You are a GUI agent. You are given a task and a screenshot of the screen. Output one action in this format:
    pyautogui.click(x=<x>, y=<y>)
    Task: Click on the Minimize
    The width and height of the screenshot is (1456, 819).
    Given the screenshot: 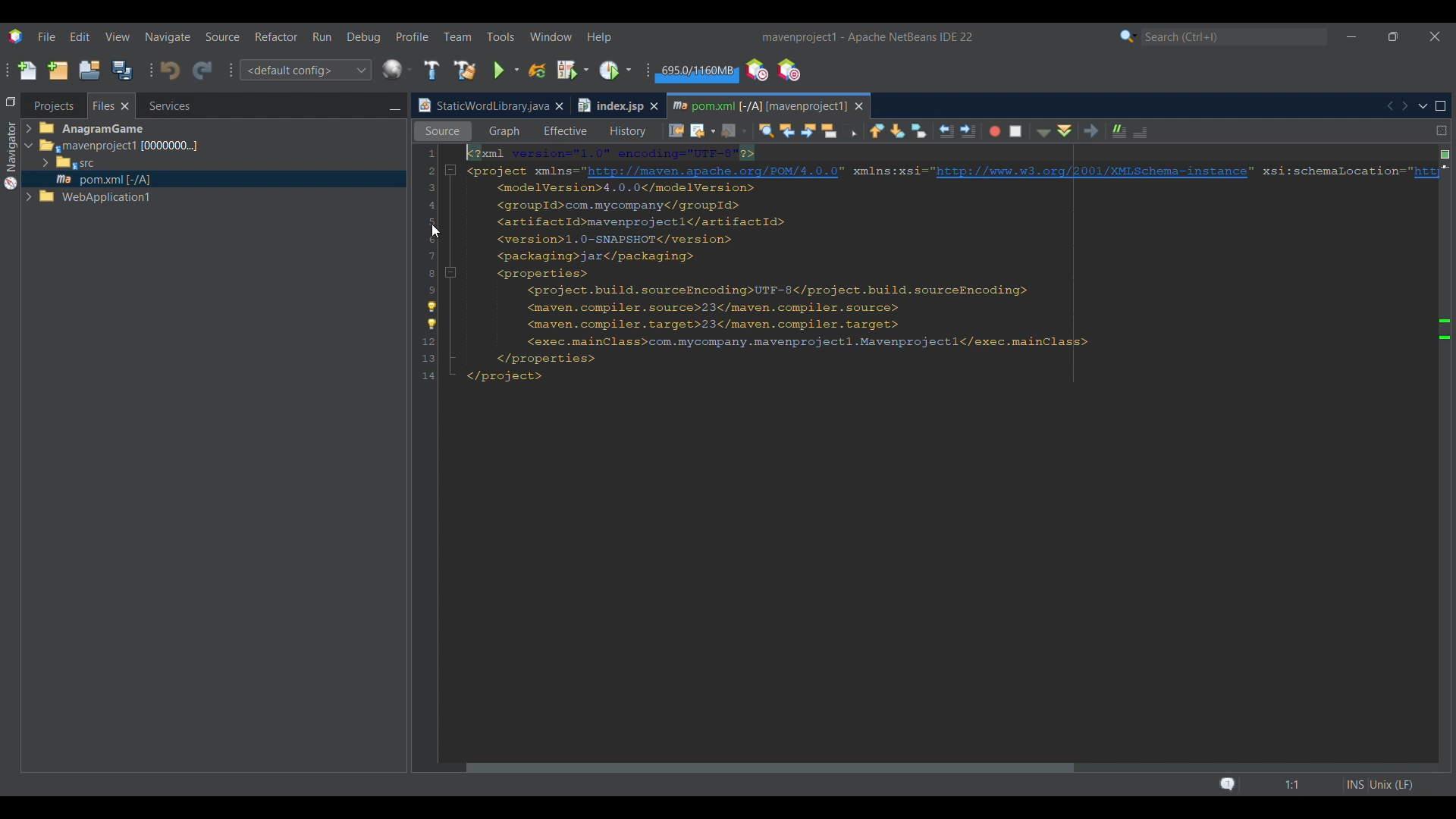 What is the action you would take?
    pyautogui.click(x=1351, y=37)
    